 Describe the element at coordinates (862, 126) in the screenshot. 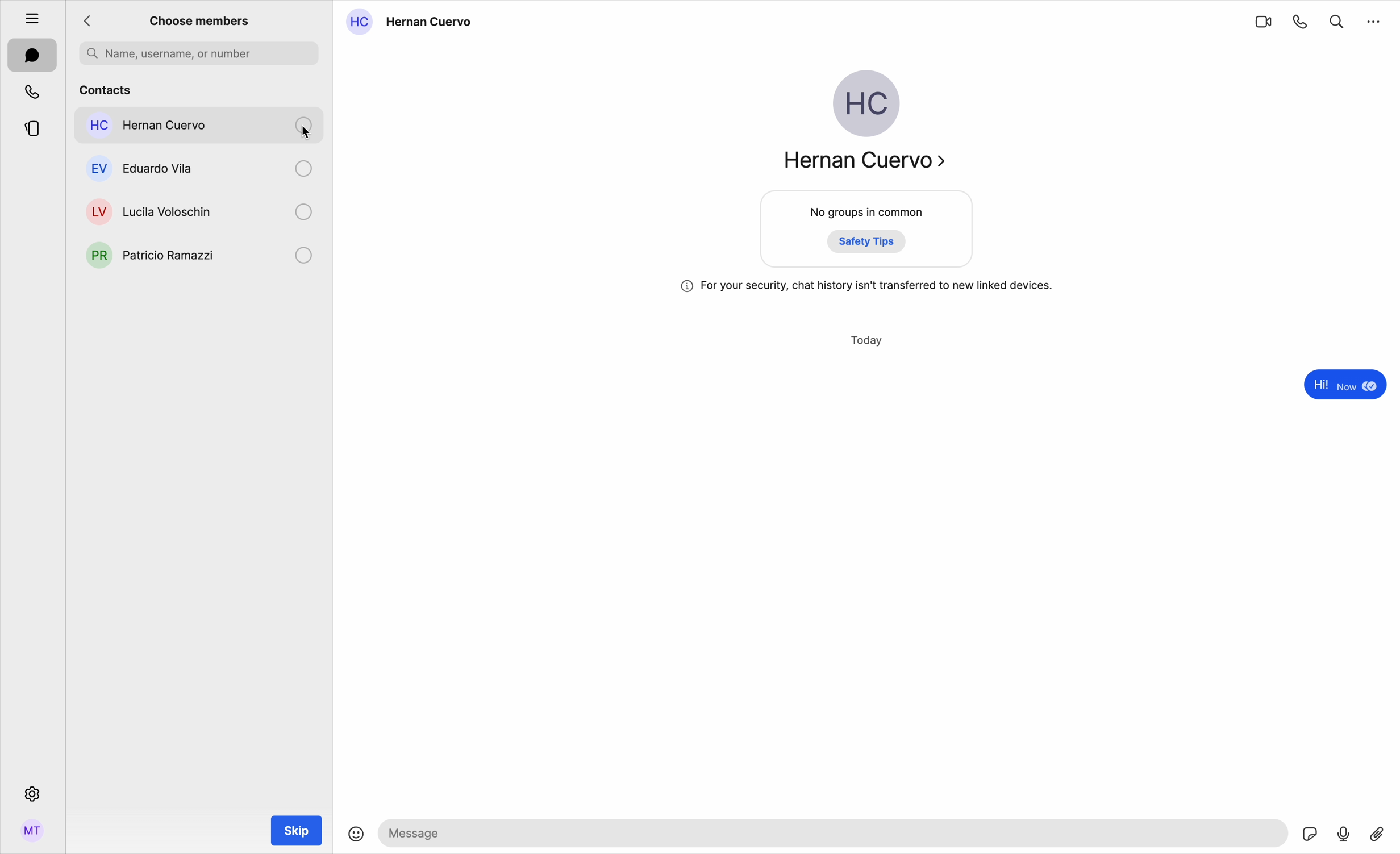

I see `Hernan Cuervo profile` at that location.